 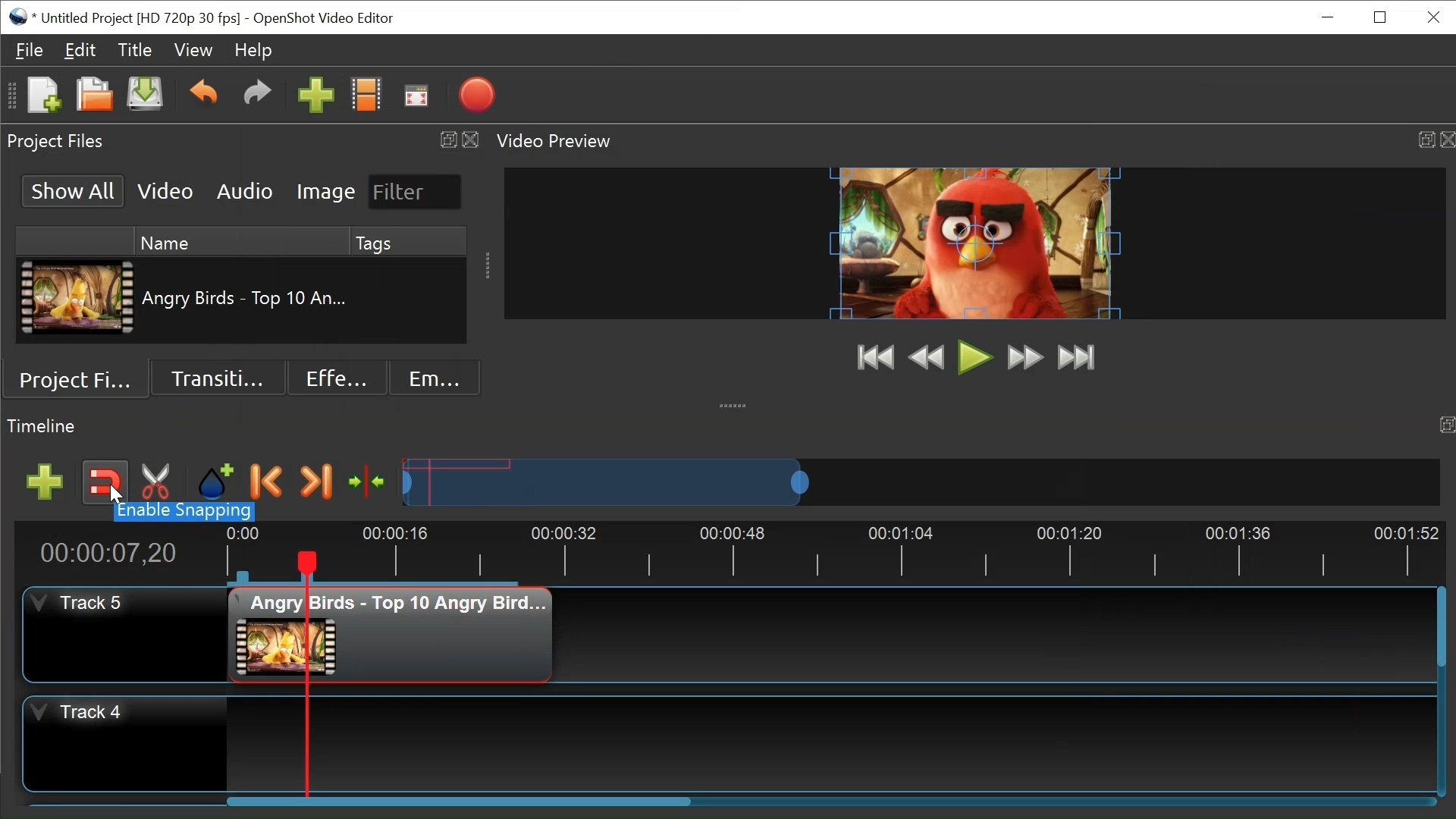 I want to click on Open Project, so click(x=93, y=94).